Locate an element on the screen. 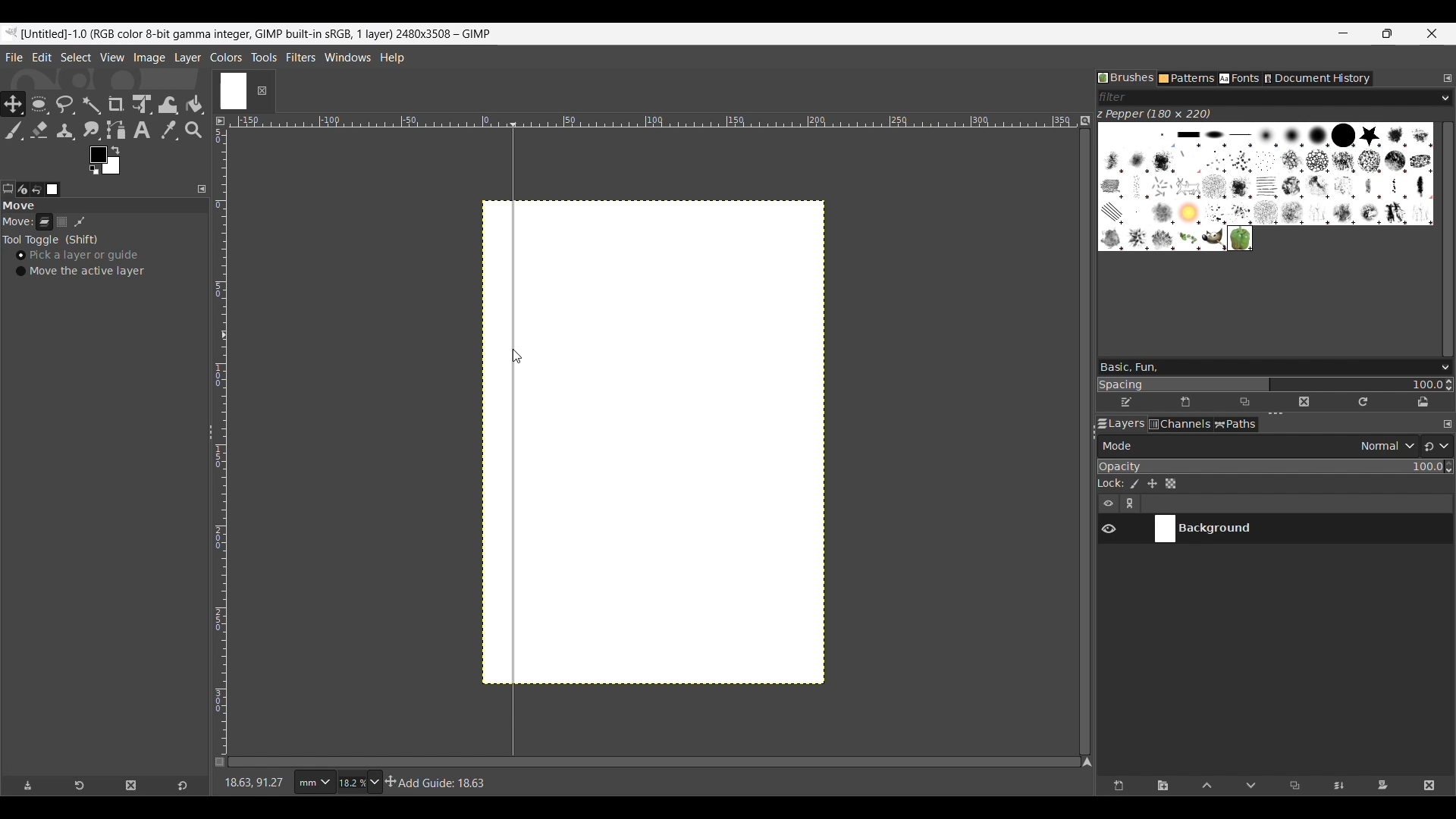  Save tool preset is located at coordinates (28, 786).